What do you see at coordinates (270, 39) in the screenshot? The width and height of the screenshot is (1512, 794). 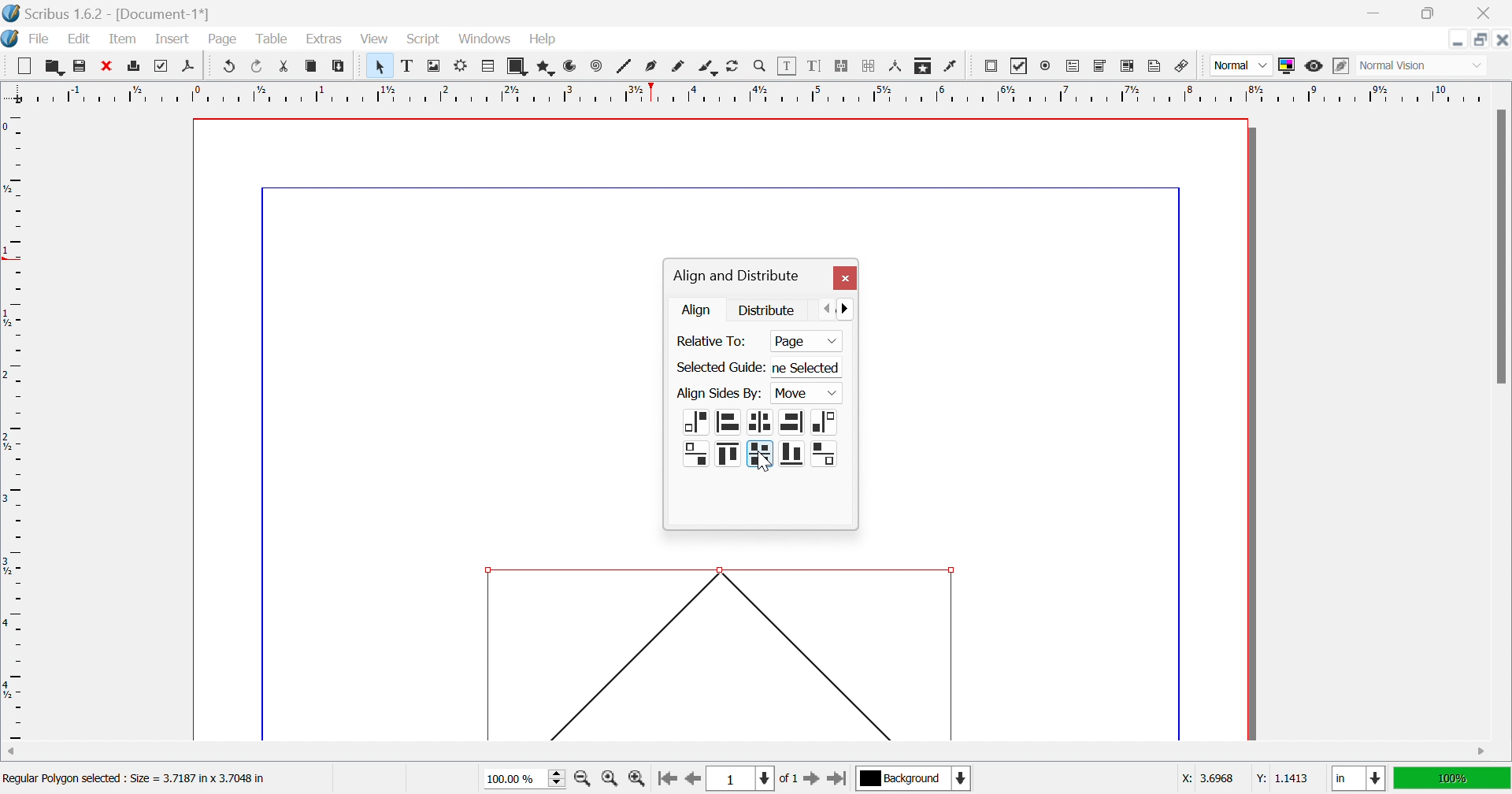 I see `Table` at bounding box center [270, 39].